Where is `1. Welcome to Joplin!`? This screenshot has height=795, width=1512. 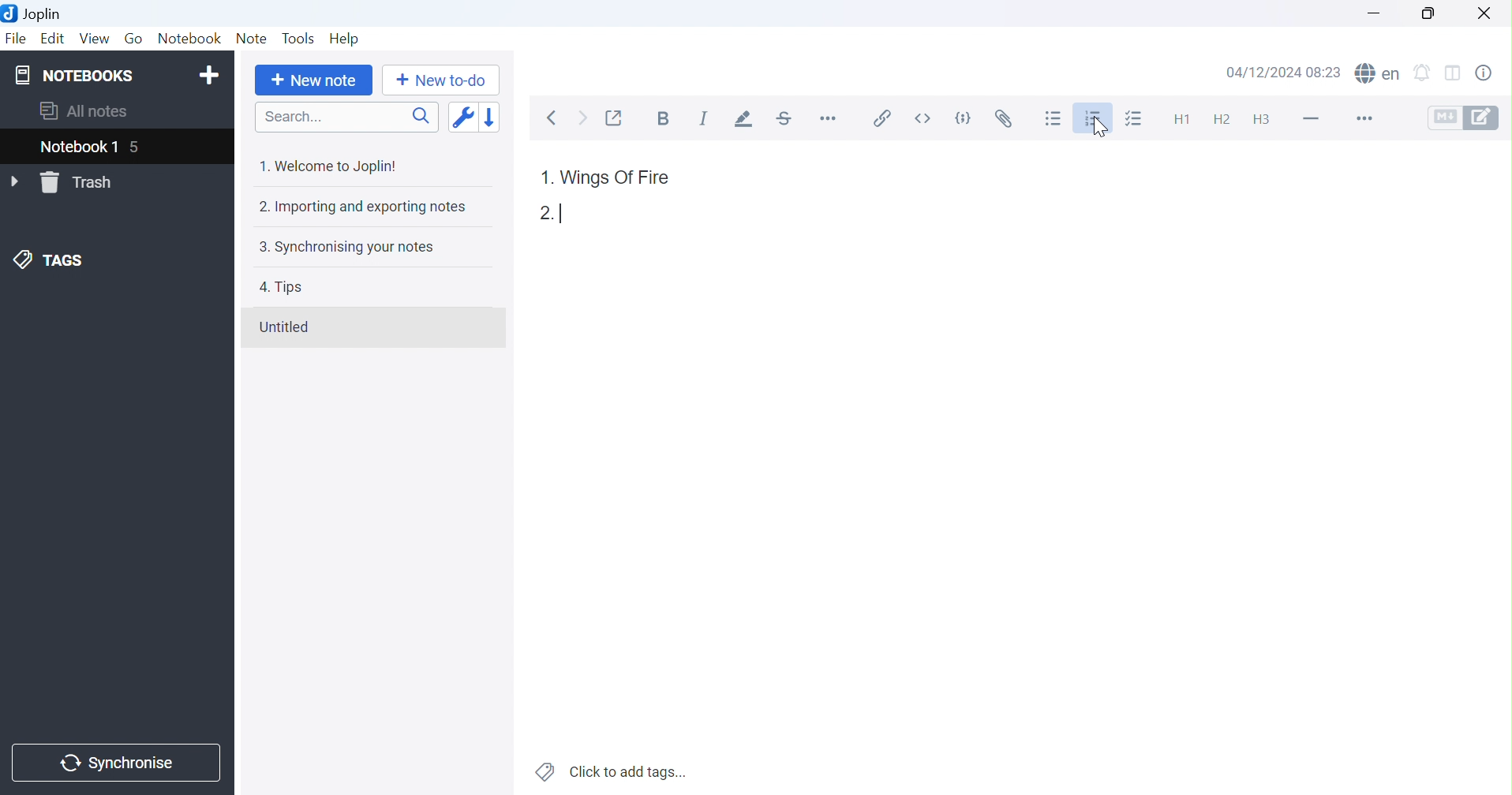 1. Welcome to Joplin! is located at coordinates (327, 166).